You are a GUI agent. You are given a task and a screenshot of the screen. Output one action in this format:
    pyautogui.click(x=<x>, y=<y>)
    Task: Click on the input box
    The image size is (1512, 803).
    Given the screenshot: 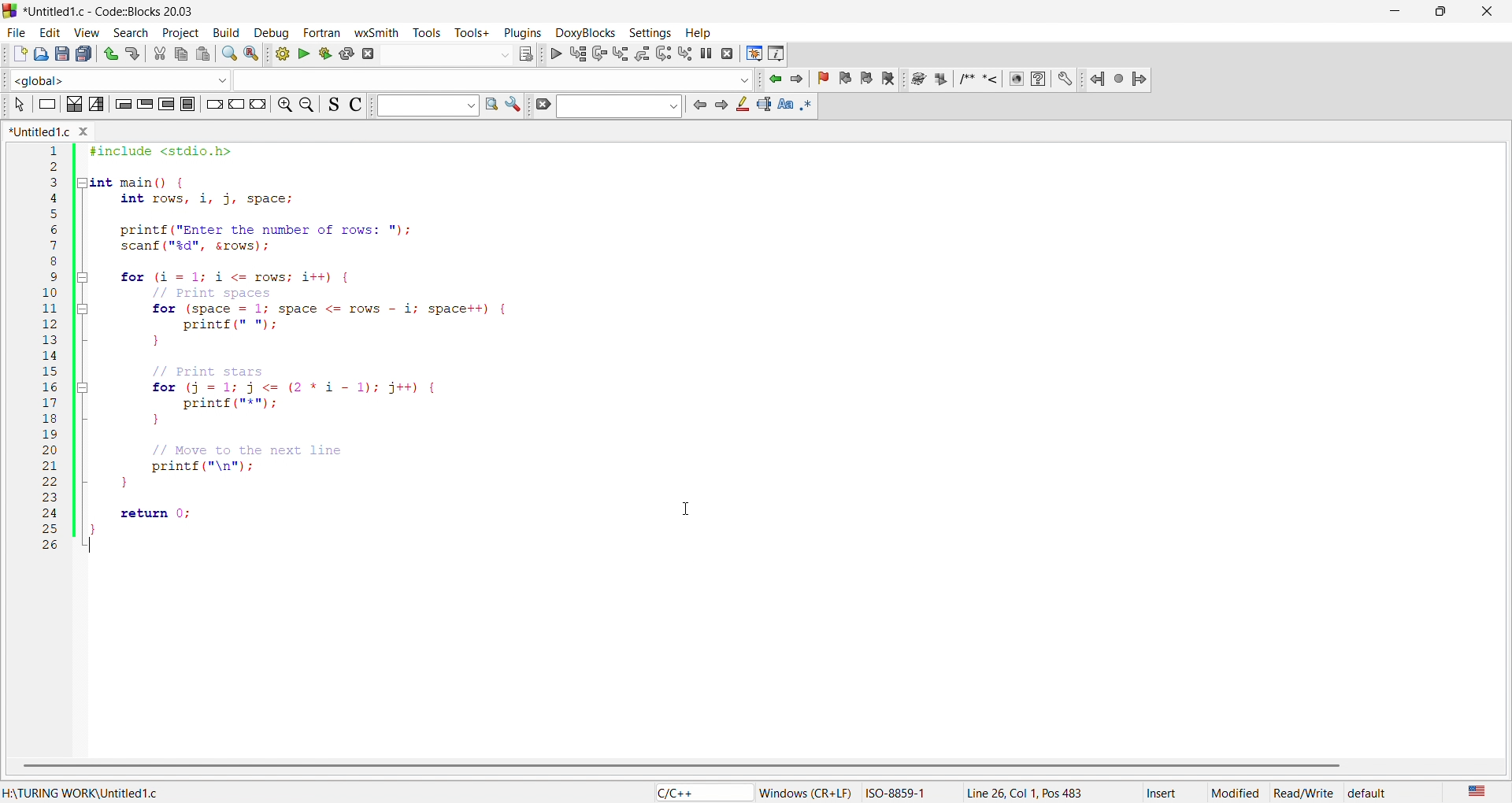 What is the action you would take?
    pyautogui.click(x=448, y=54)
    